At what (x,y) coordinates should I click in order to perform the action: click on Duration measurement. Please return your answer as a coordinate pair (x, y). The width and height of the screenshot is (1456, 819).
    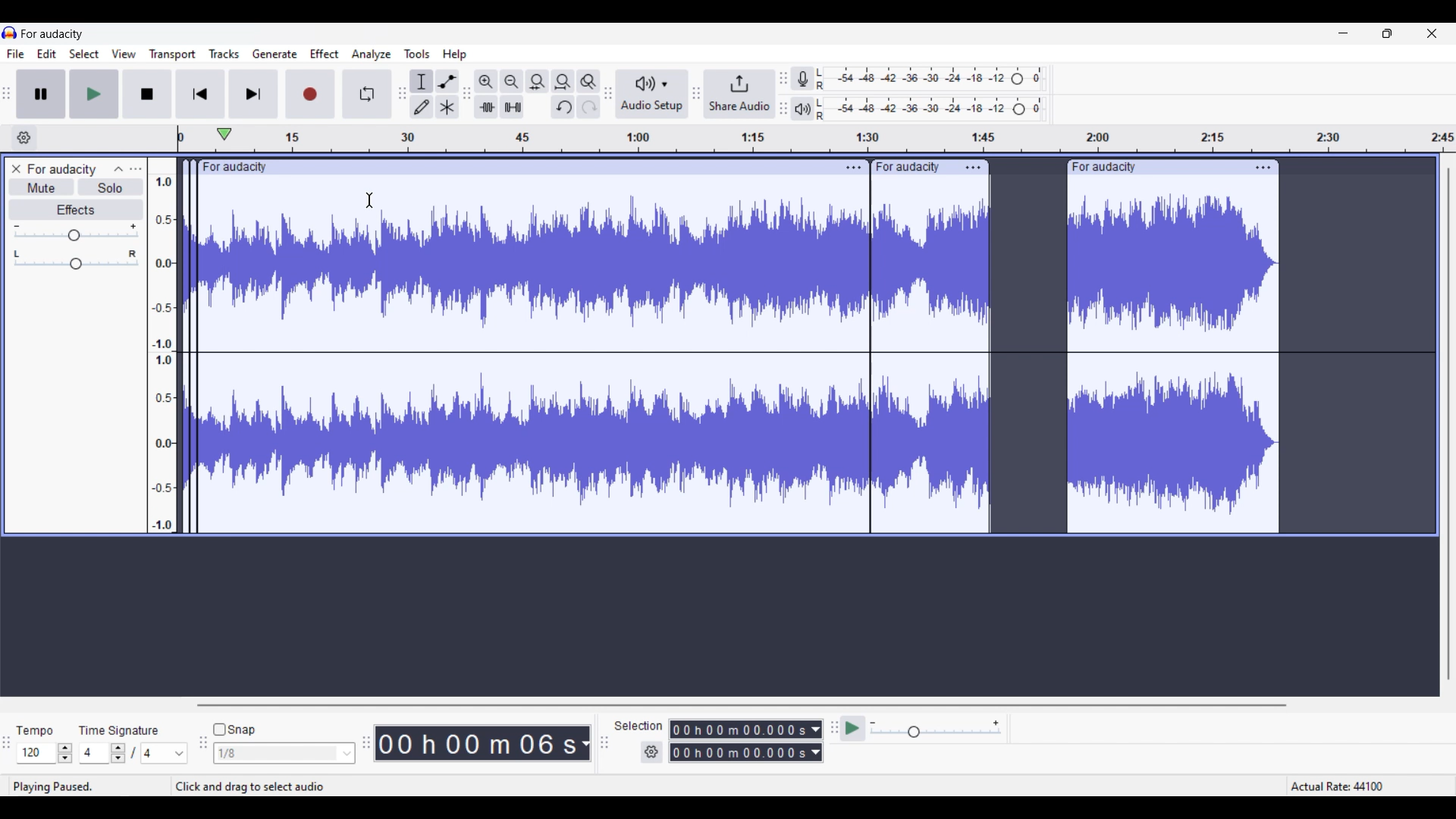
    Looking at the image, I should click on (817, 741).